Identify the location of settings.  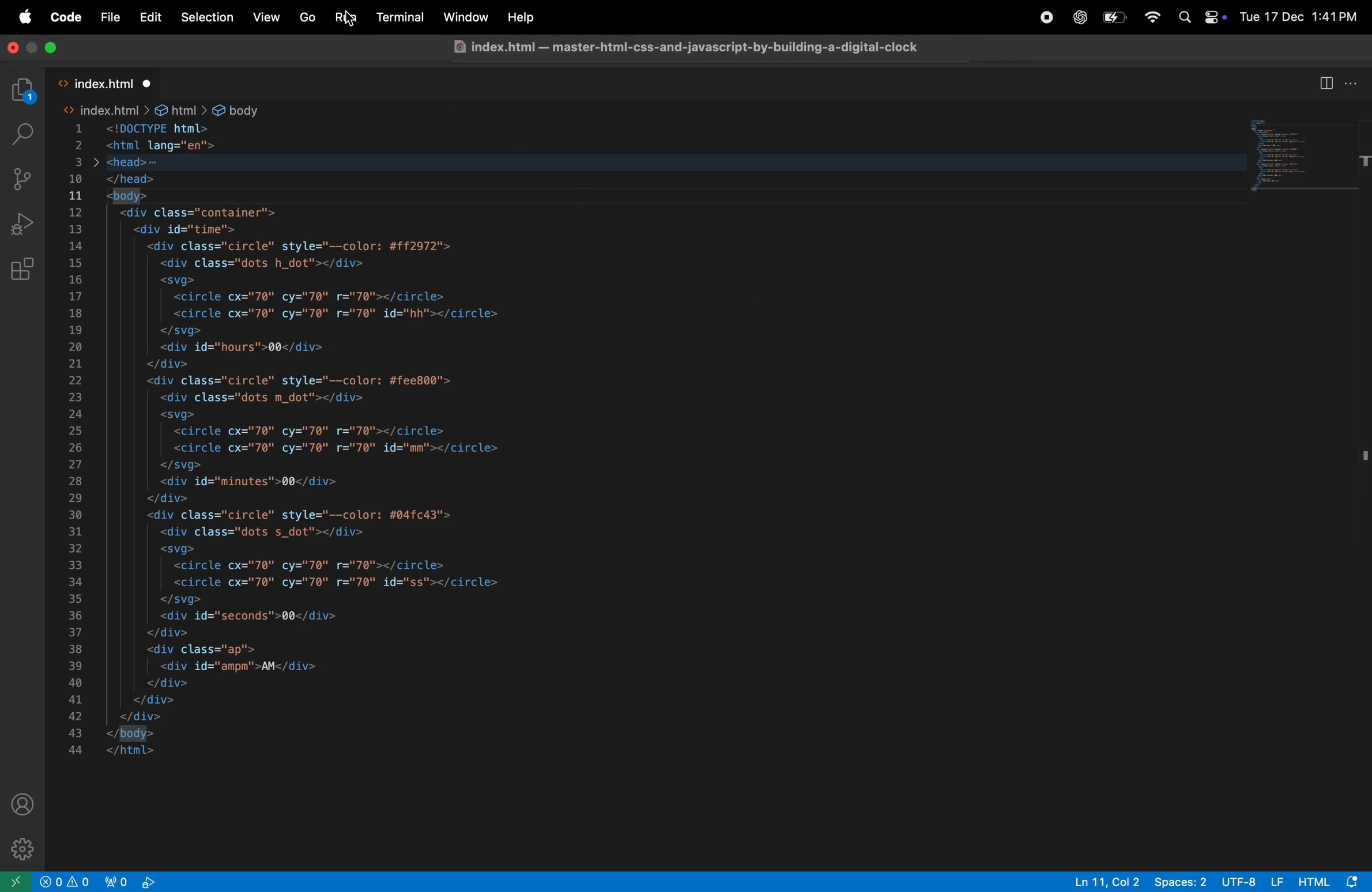
(20, 847).